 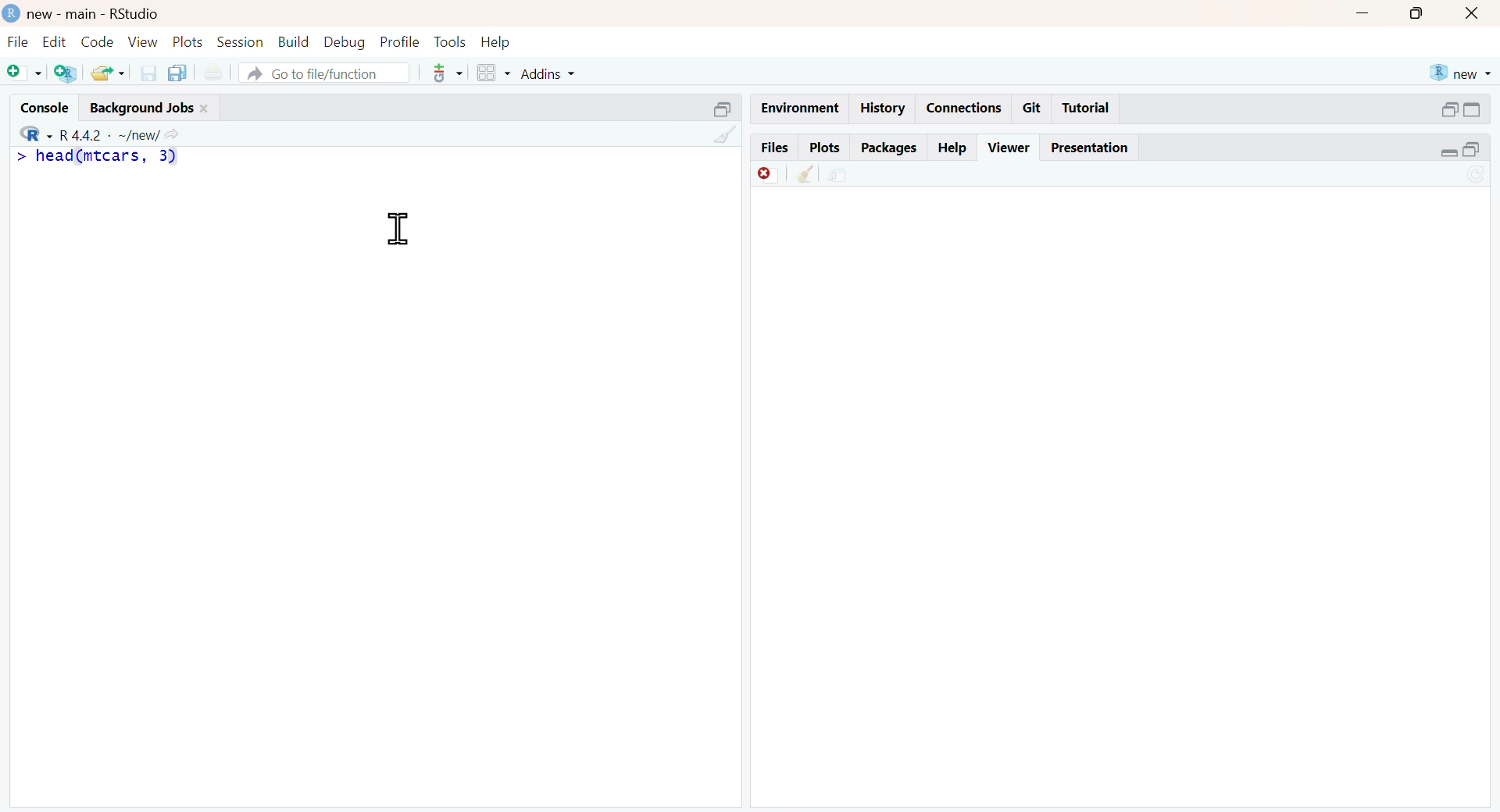 What do you see at coordinates (889, 146) in the screenshot?
I see `Packages` at bounding box center [889, 146].